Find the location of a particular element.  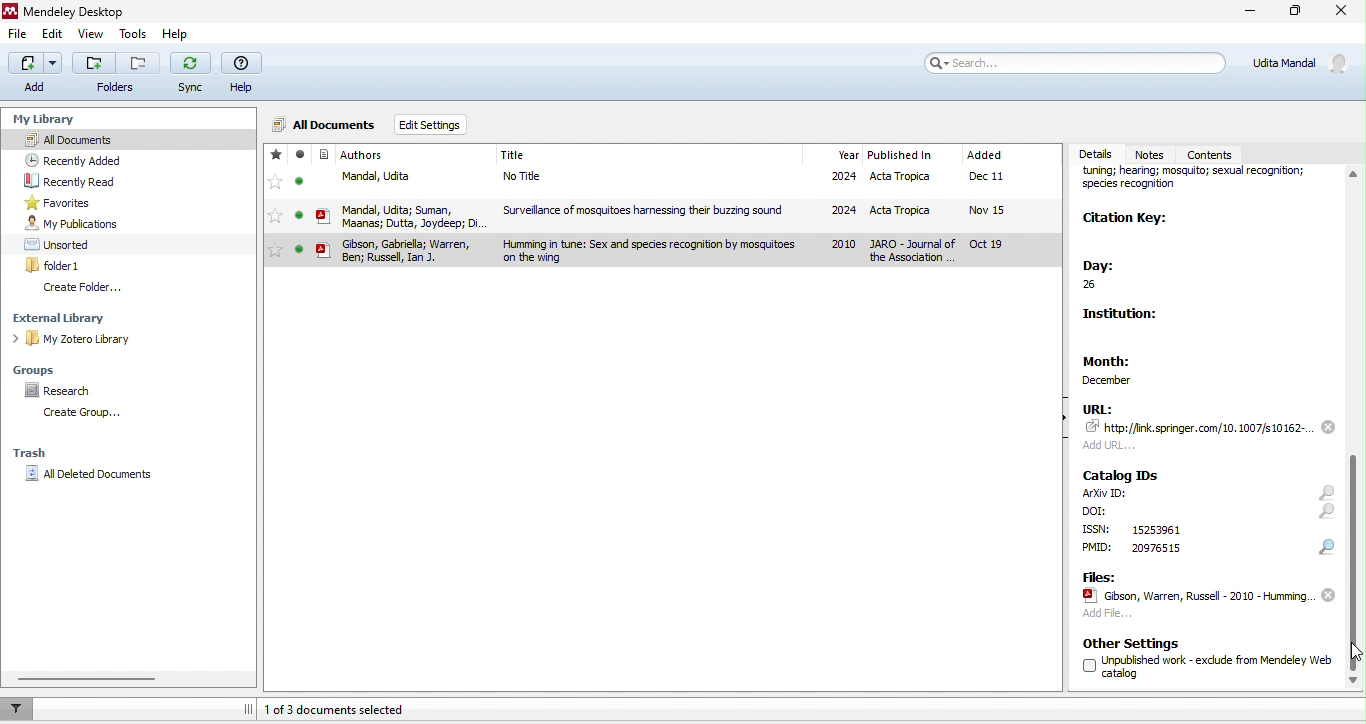

my zotero library is located at coordinates (76, 340).